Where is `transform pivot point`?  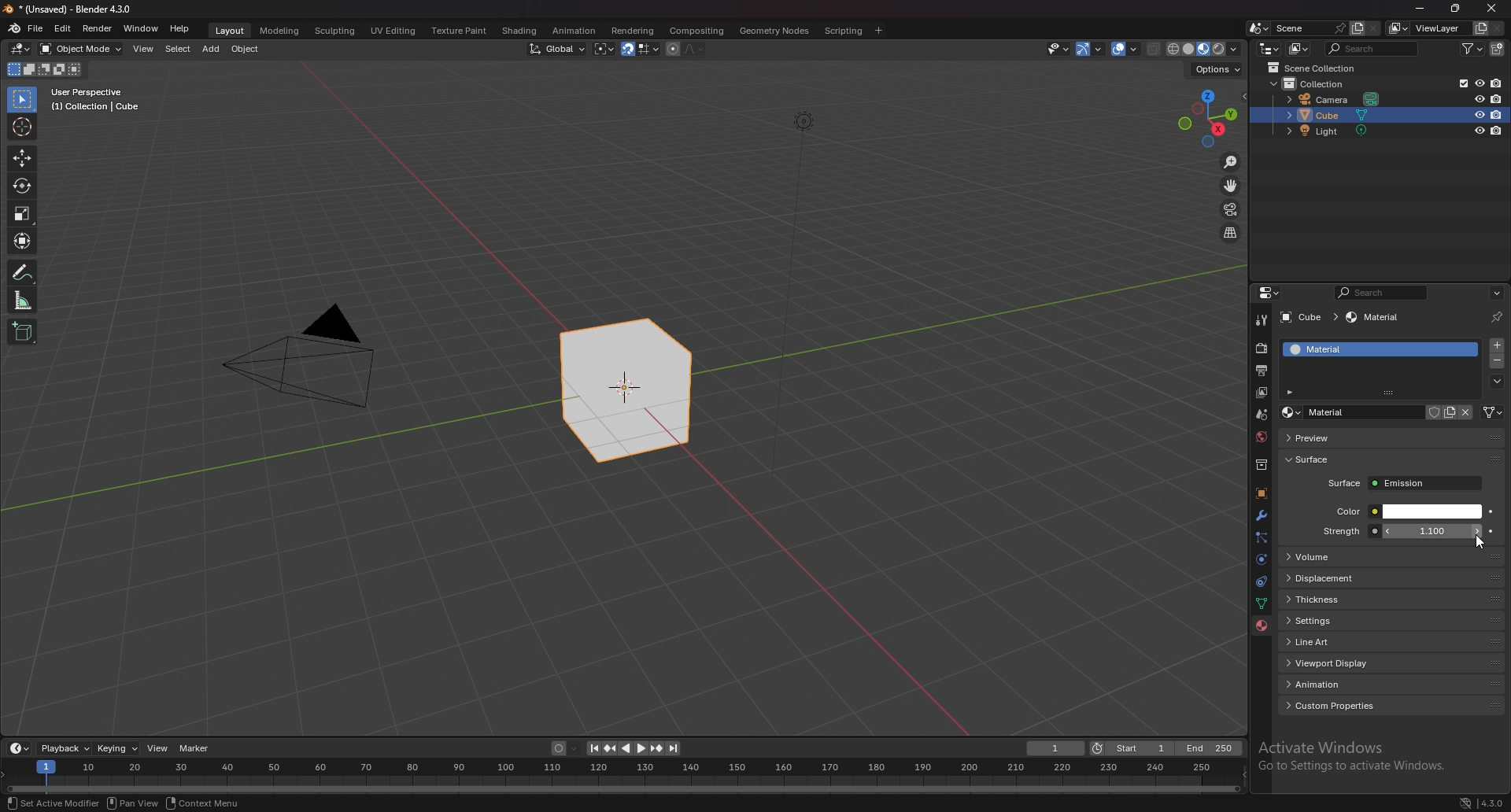 transform pivot point is located at coordinates (604, 49).